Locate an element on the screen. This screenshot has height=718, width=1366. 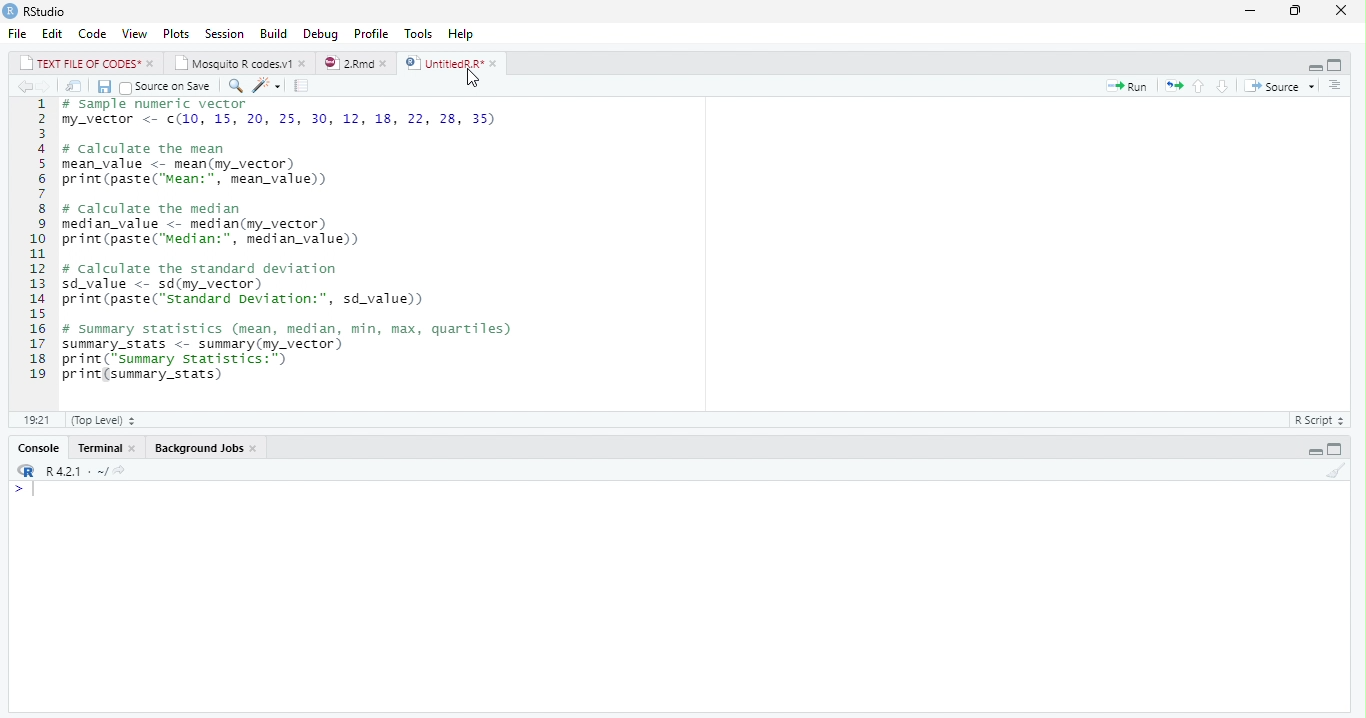
2.Rmd is located at coordinates (348, 63).